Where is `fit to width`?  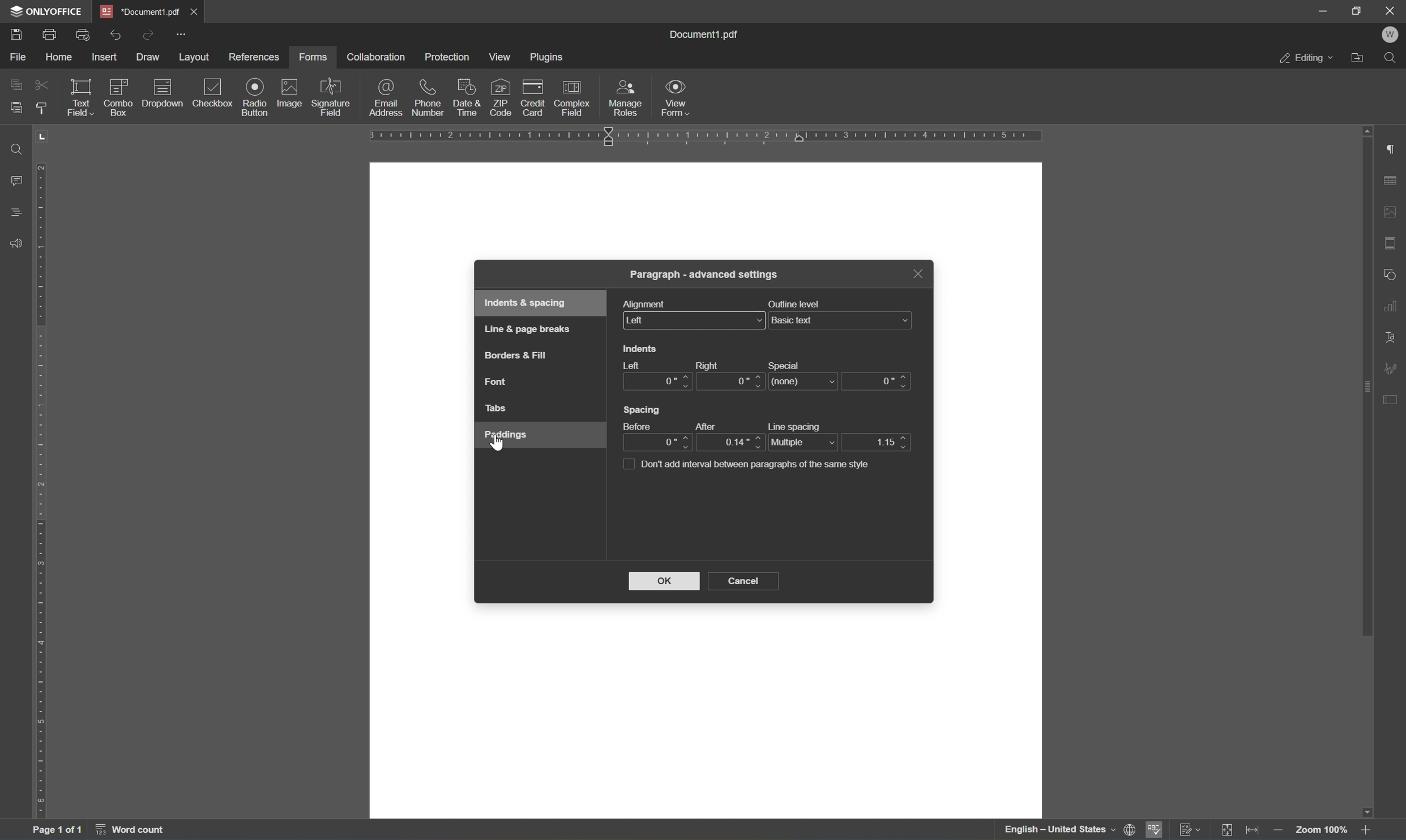 fit to width is located at coordinates (1257, 830).